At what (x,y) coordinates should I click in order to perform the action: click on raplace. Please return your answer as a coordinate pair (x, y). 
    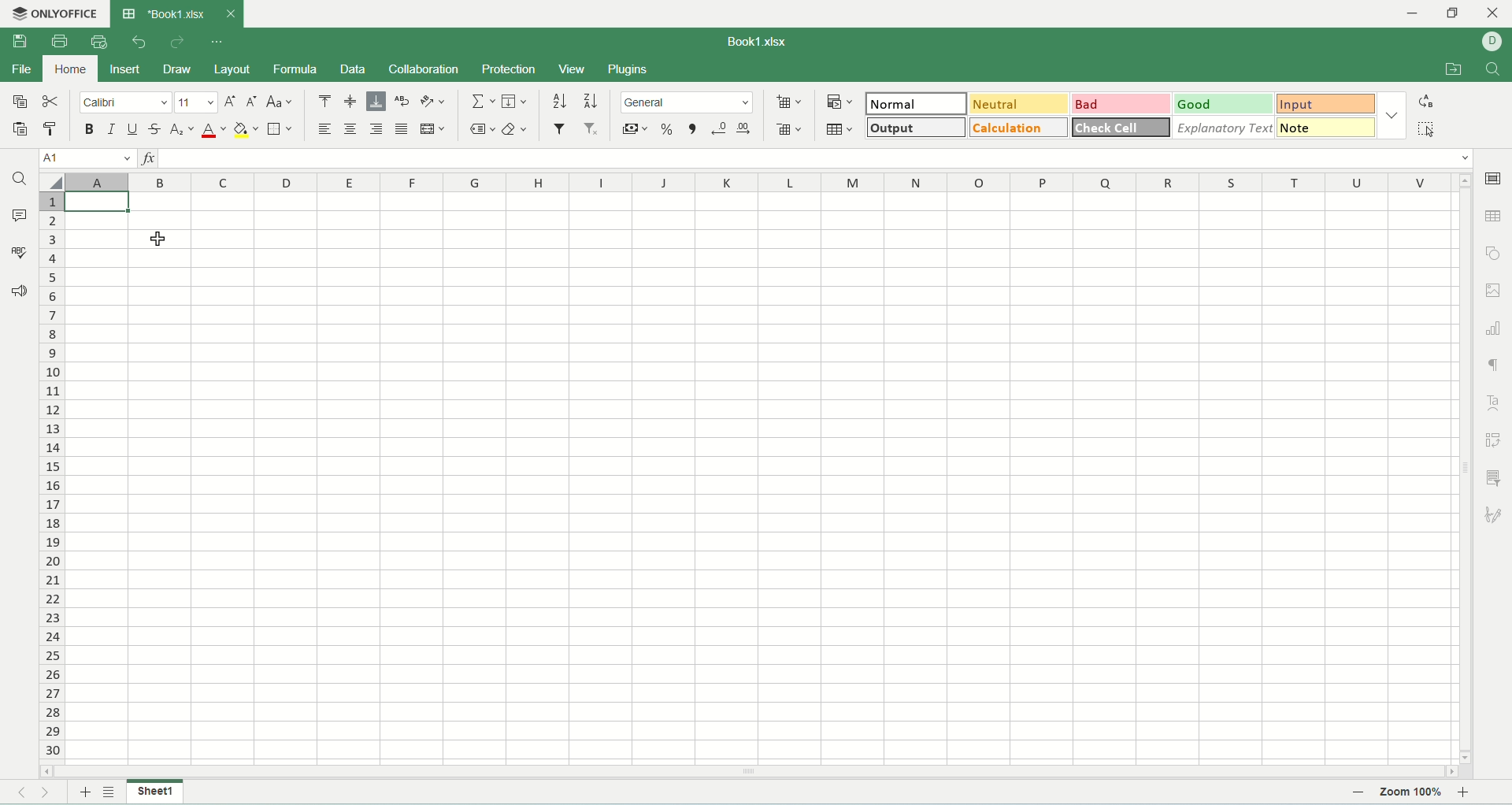
    Looking at the image, I should click on (1429, 101).